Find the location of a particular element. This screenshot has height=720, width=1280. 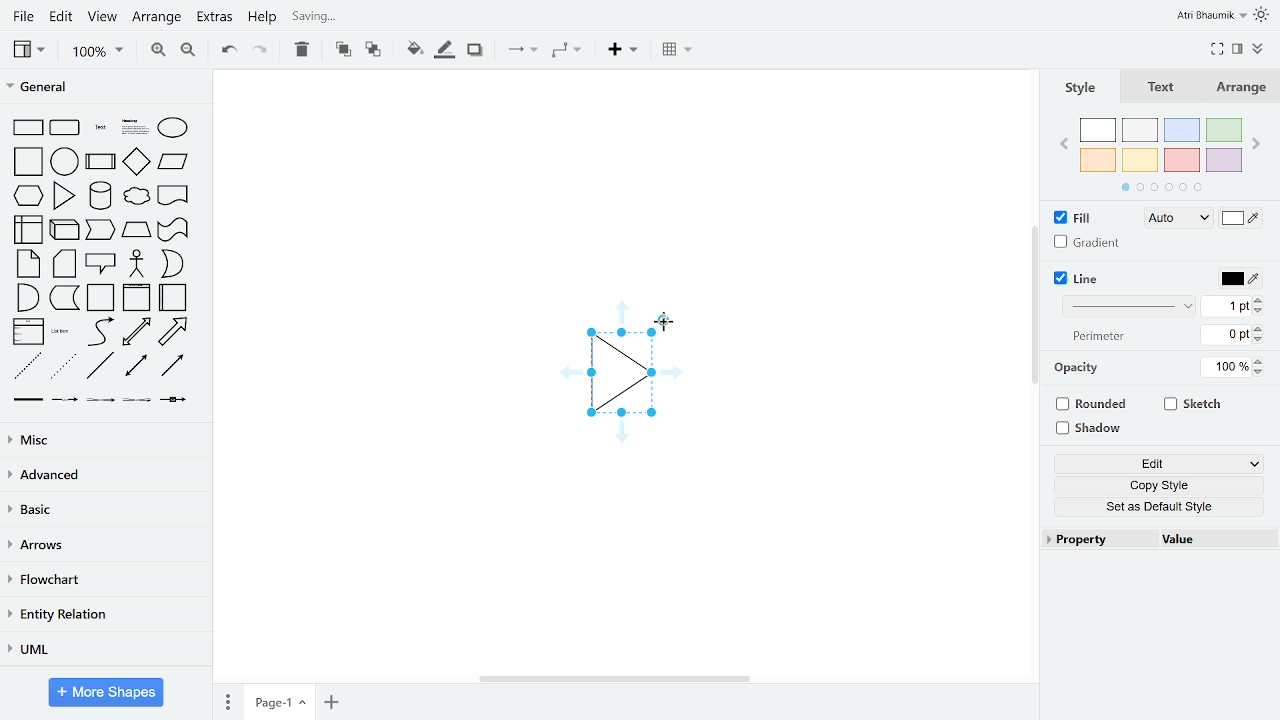

horizontal storage is located at coordinates (174, 298).